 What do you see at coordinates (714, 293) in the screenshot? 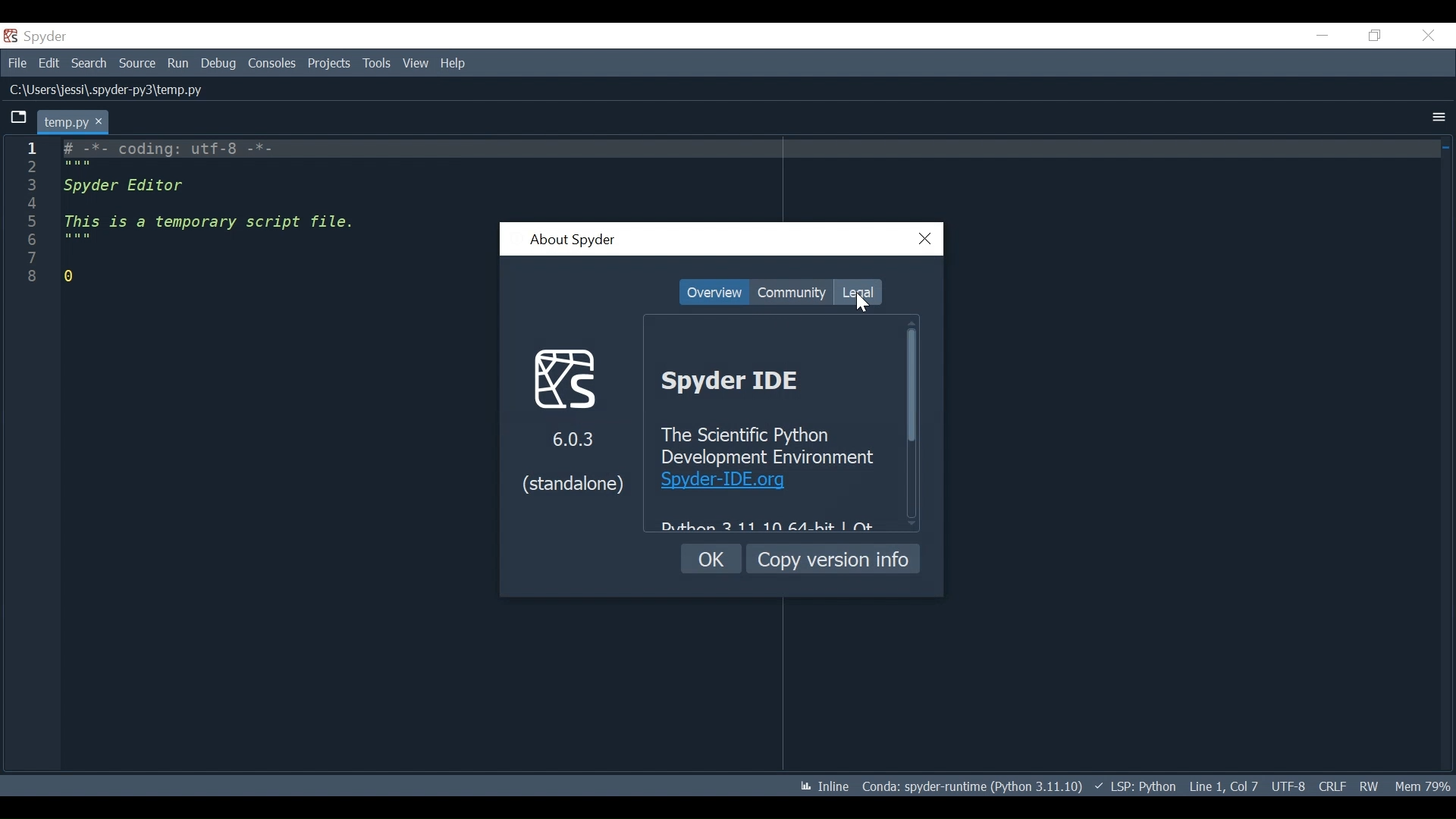
I see `Overview` at bounding box center [714, 293].